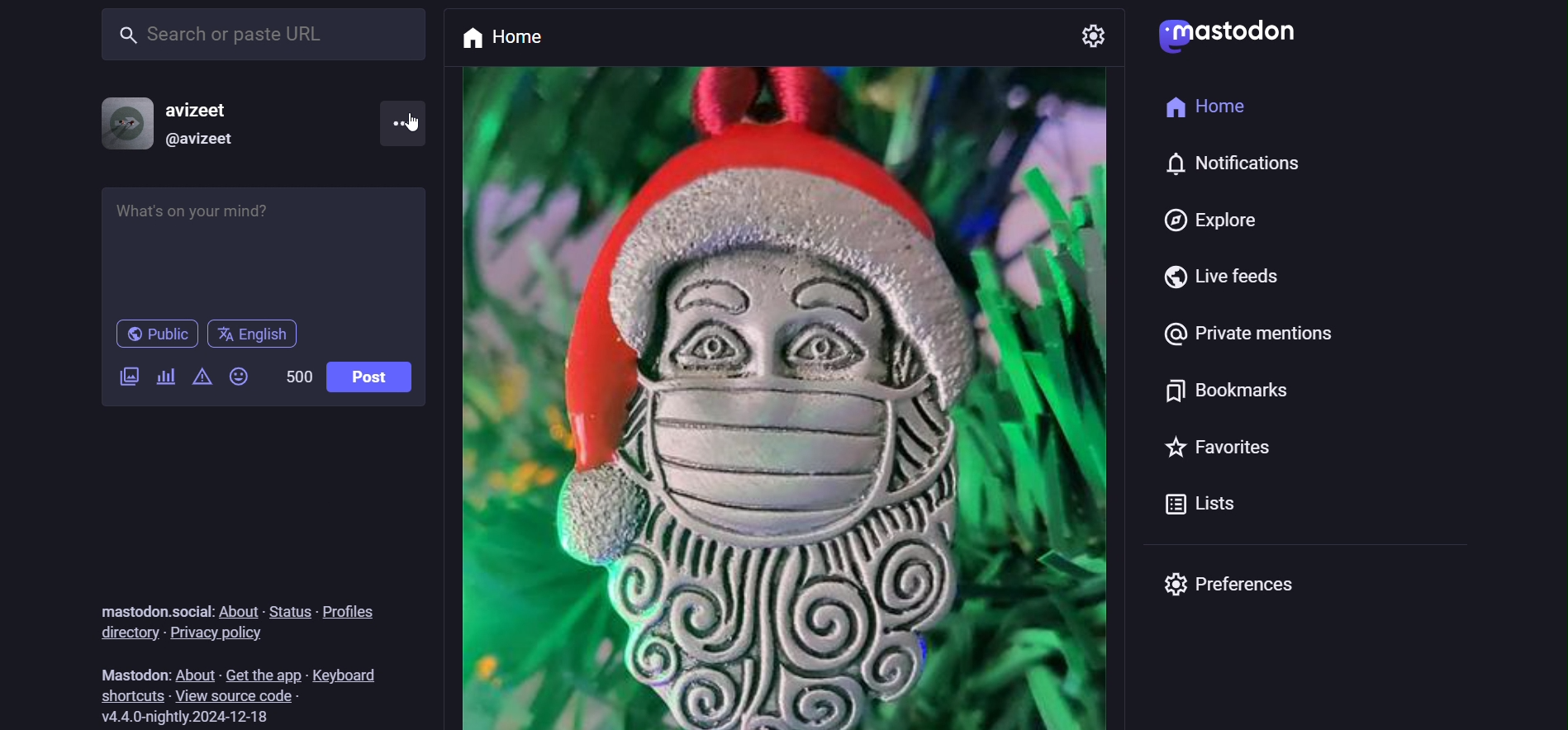  What do you see at coordinates (287, 611) in the screenshot?
I see `status` at bounding box center [287, 611].